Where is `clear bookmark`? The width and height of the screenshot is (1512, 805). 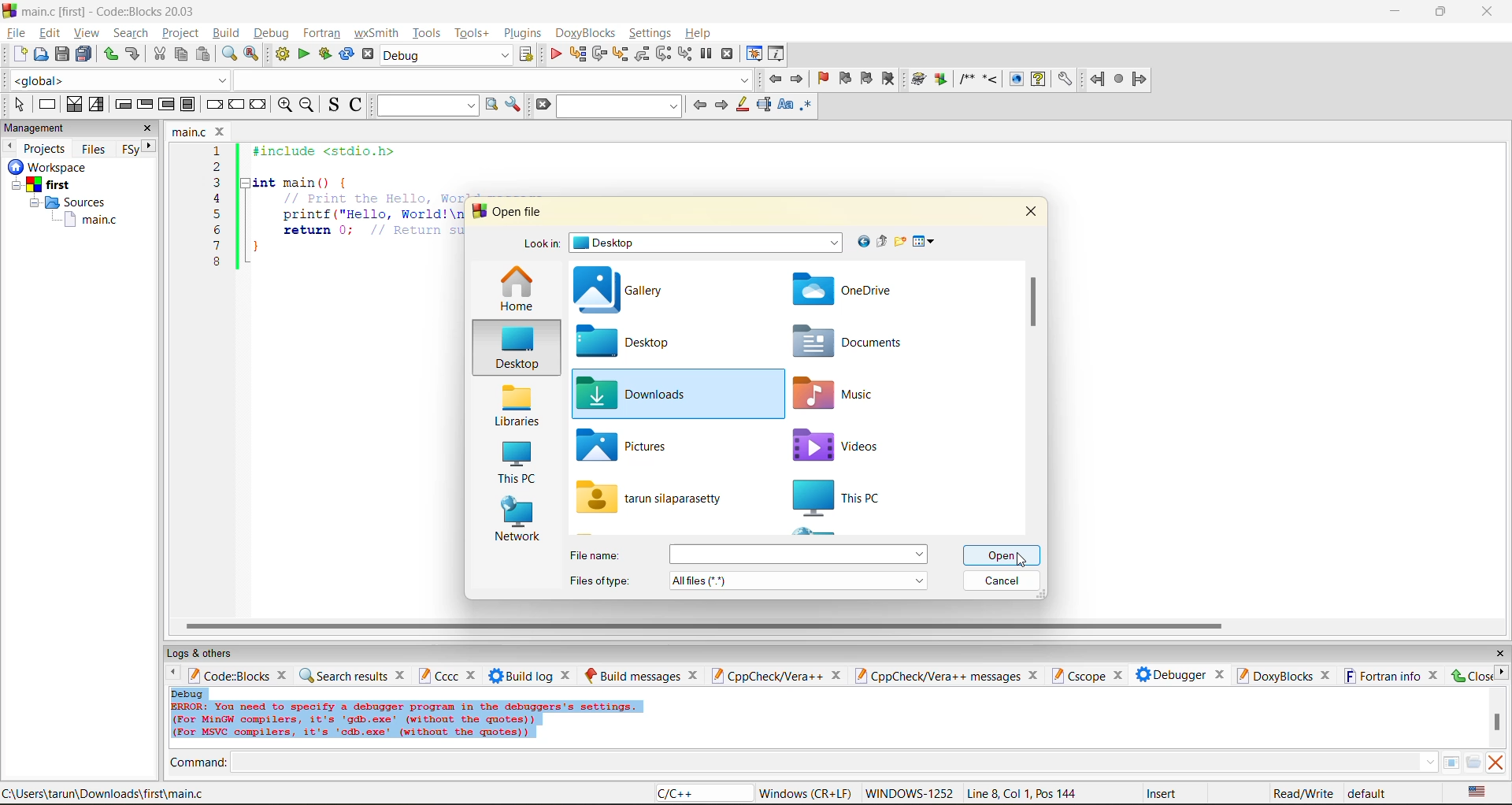 clear bookmark is located at coordinates (888, 78).